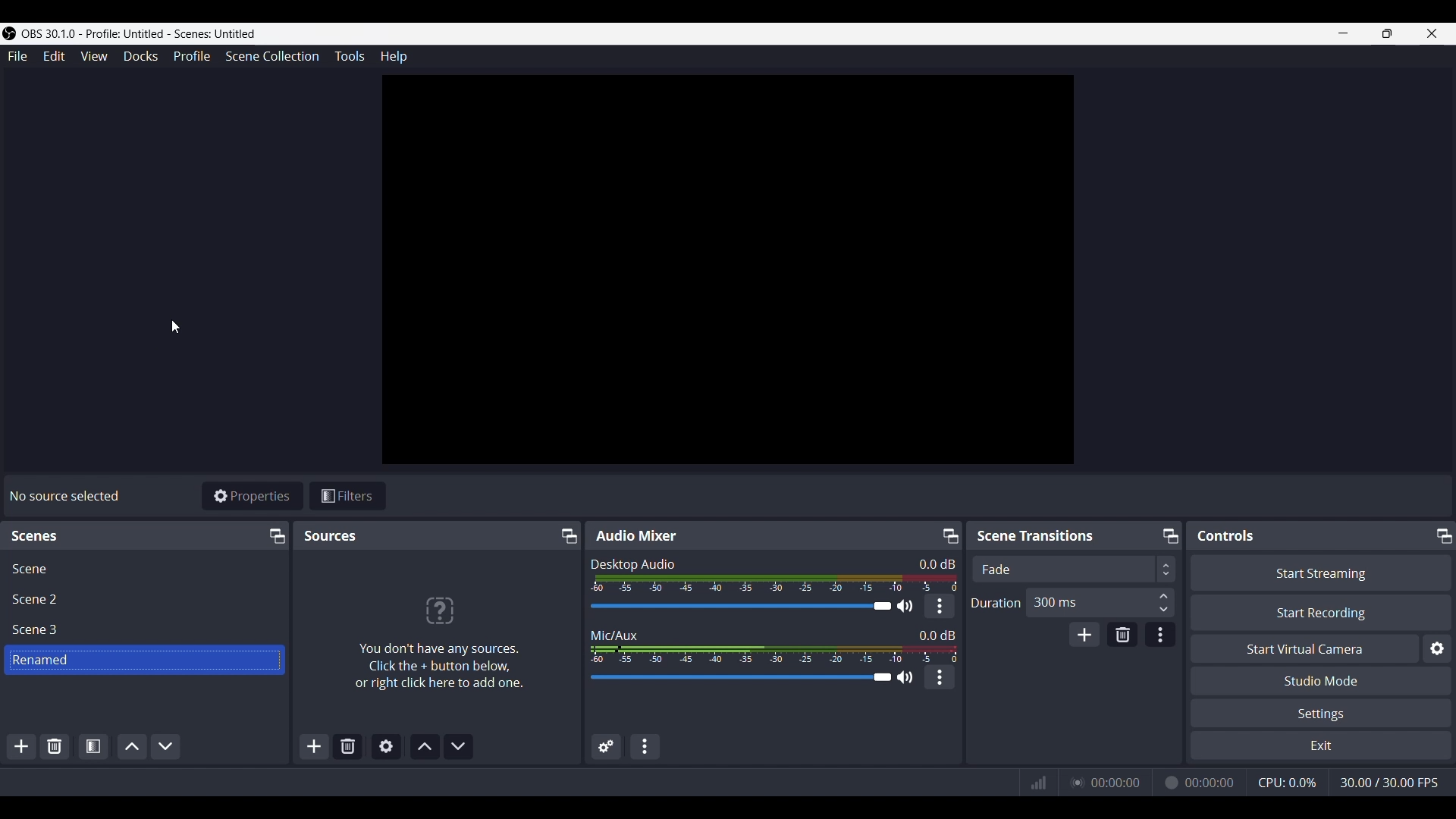  What do you see at coordinates (1039, 535) in the screenshot?
I see `Scene Transitions` at bounding box center [1039, 535].